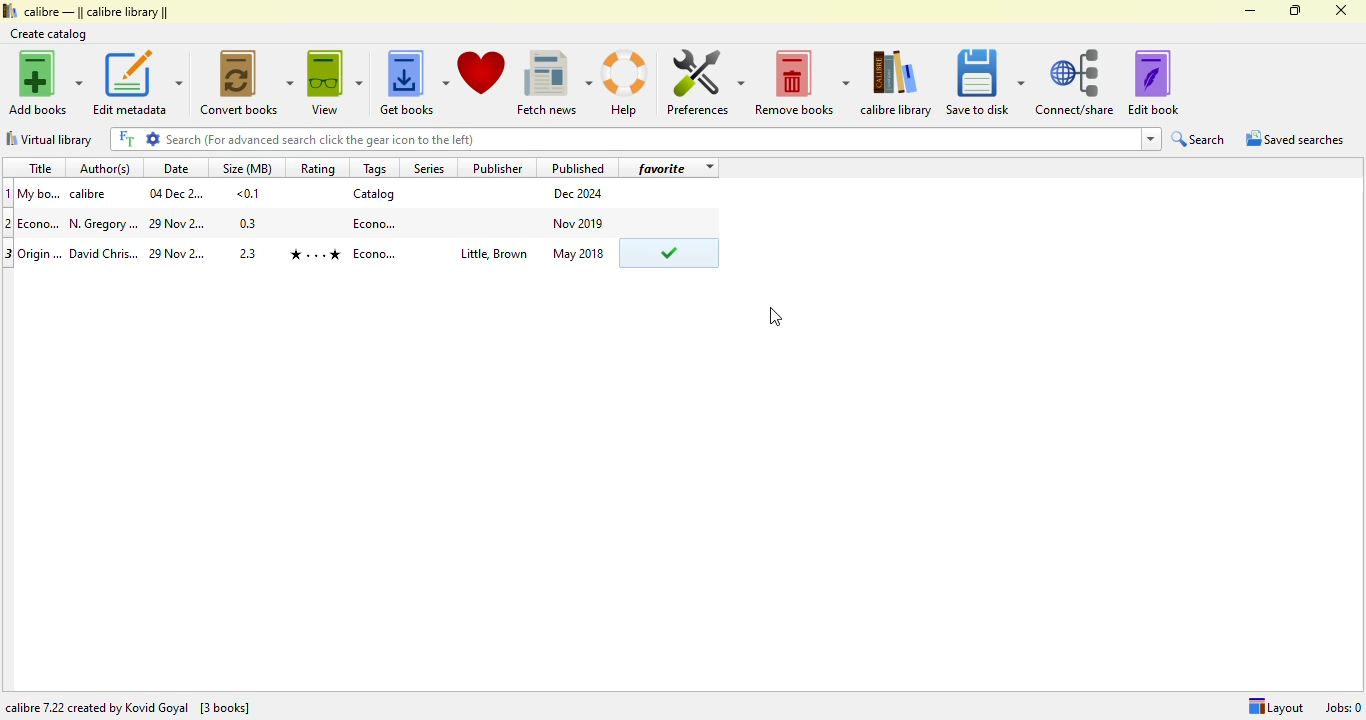 The width and height of the screenshot is (1366, 720). Describe the element at coordinates (1075, 82) in the screenshot. I see `connect/share` at that location.